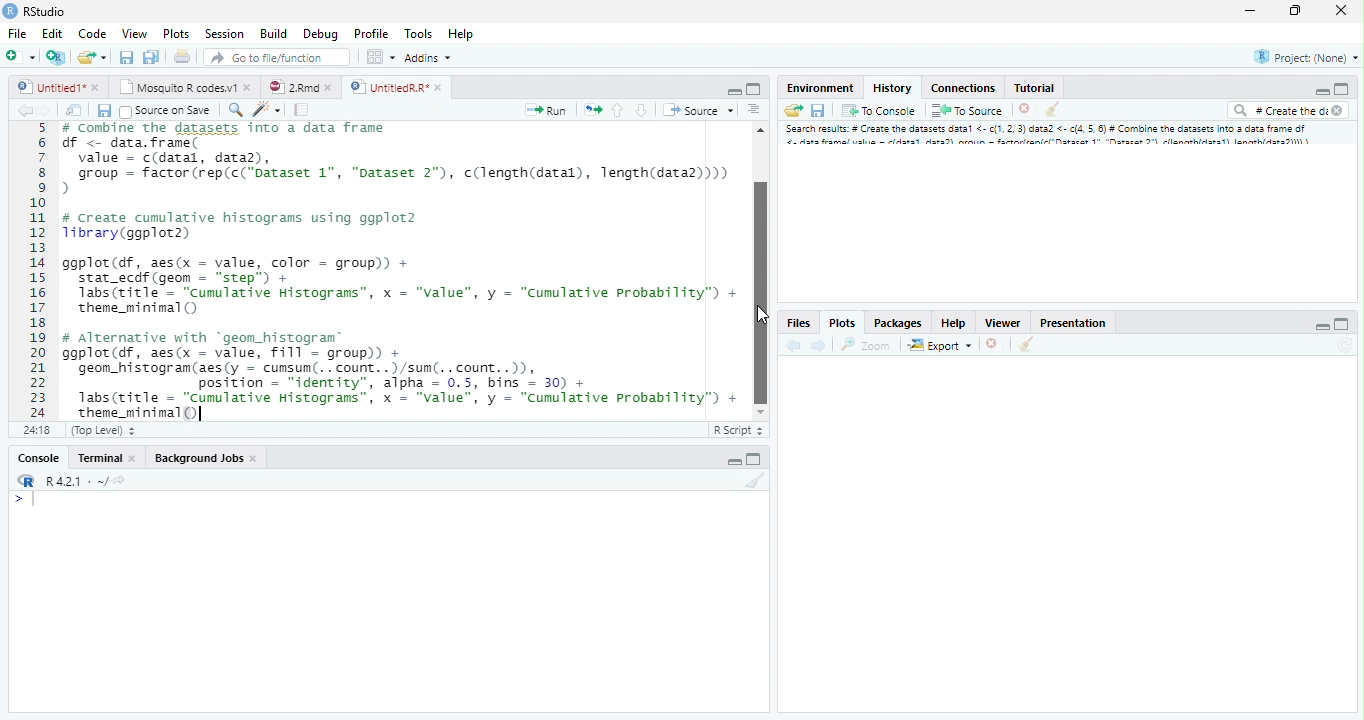 The image size is (1364, 720). Describe the element at coordinates (819, 88) in the screenshot. I see `Environment` at that location.